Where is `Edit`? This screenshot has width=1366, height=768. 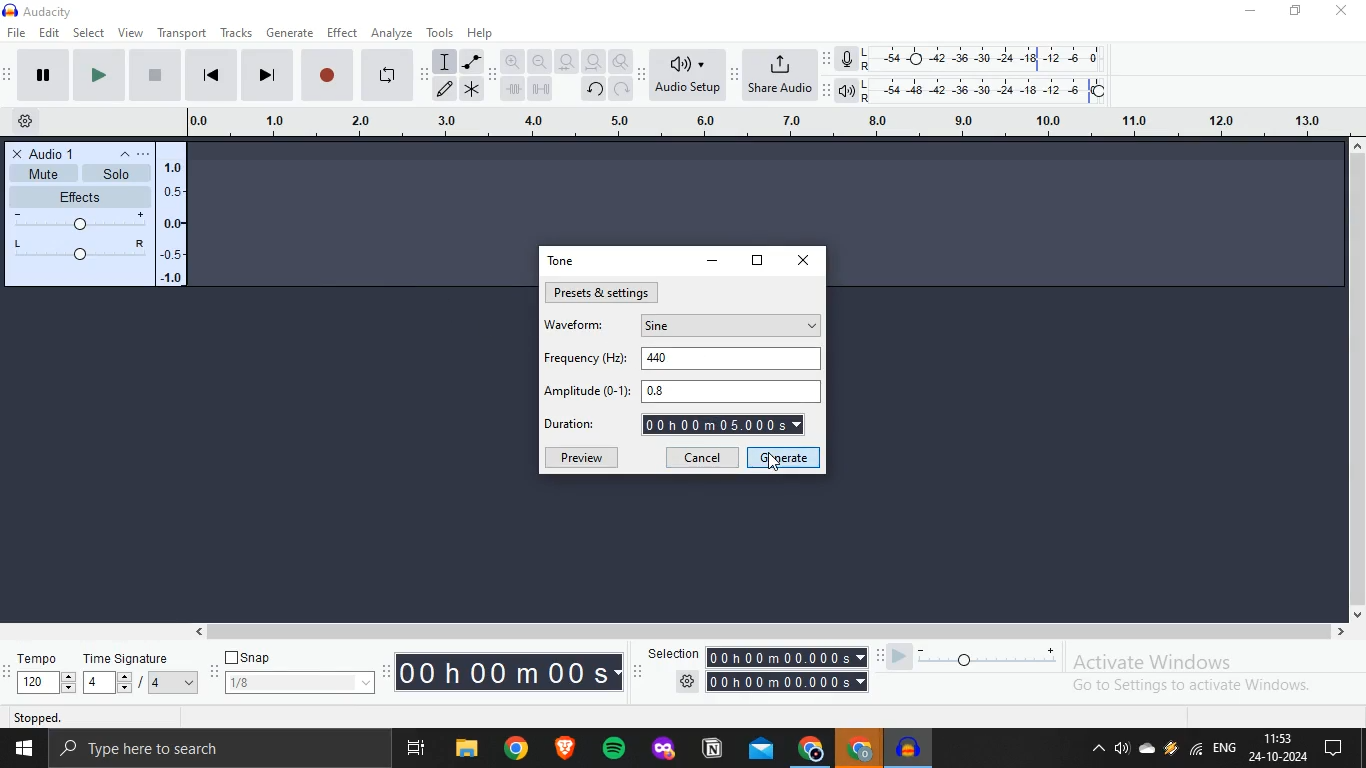
Edit is located at coordinates (444, 91).